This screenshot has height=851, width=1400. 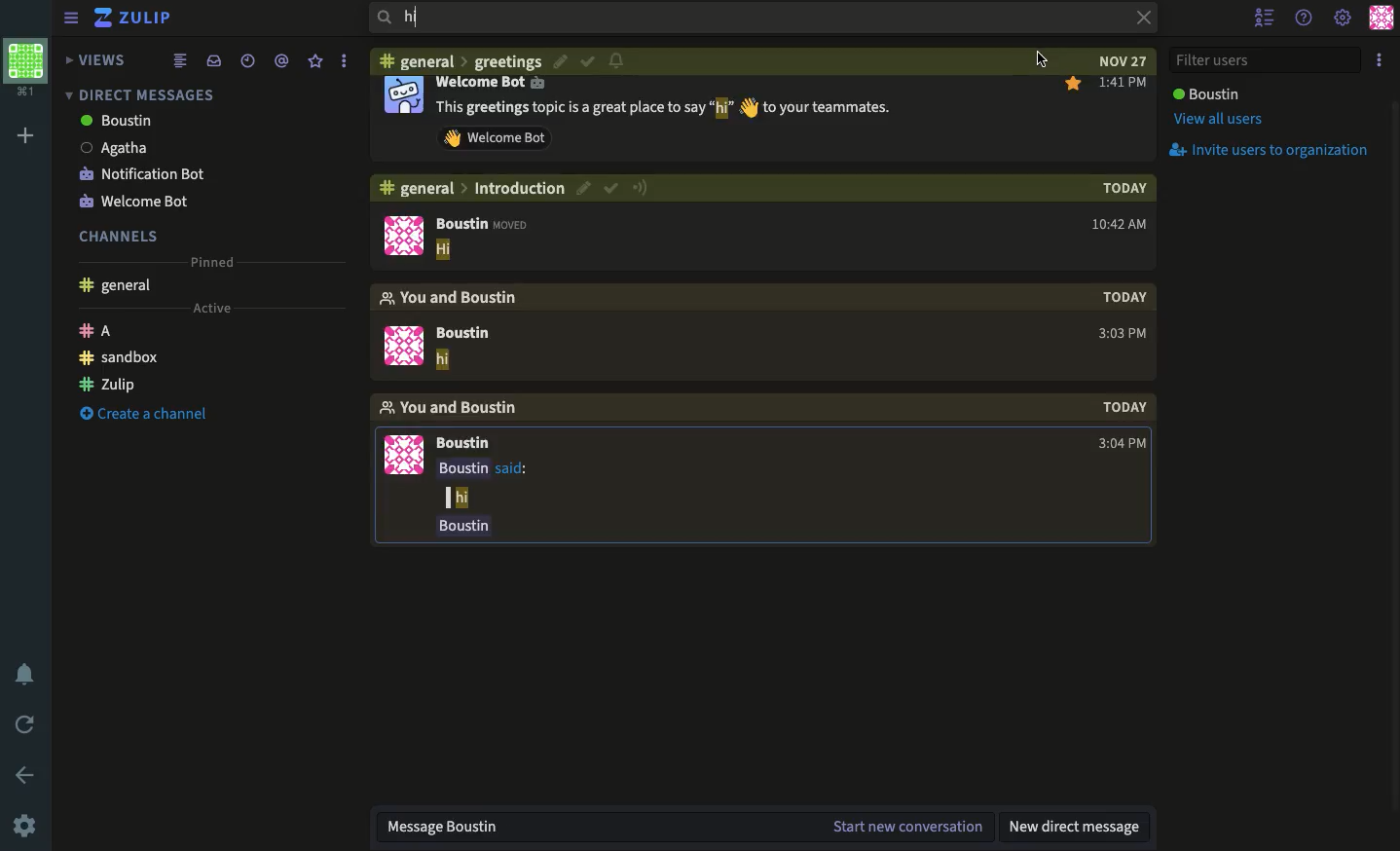 I want to click on Active, so click(x=212, y=309).